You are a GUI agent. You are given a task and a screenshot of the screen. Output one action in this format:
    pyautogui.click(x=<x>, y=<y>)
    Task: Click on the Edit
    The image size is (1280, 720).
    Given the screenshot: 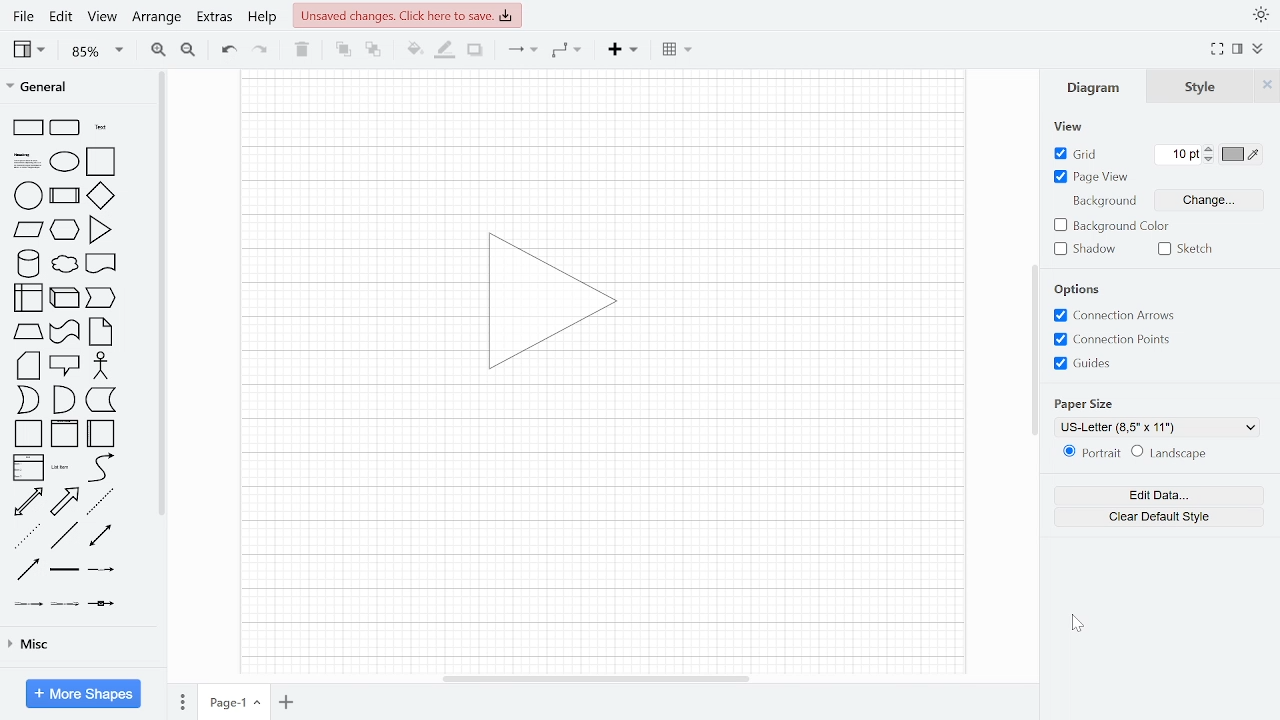 What is the action you would take?
    pyautogui.click(x=62, y=17)
    